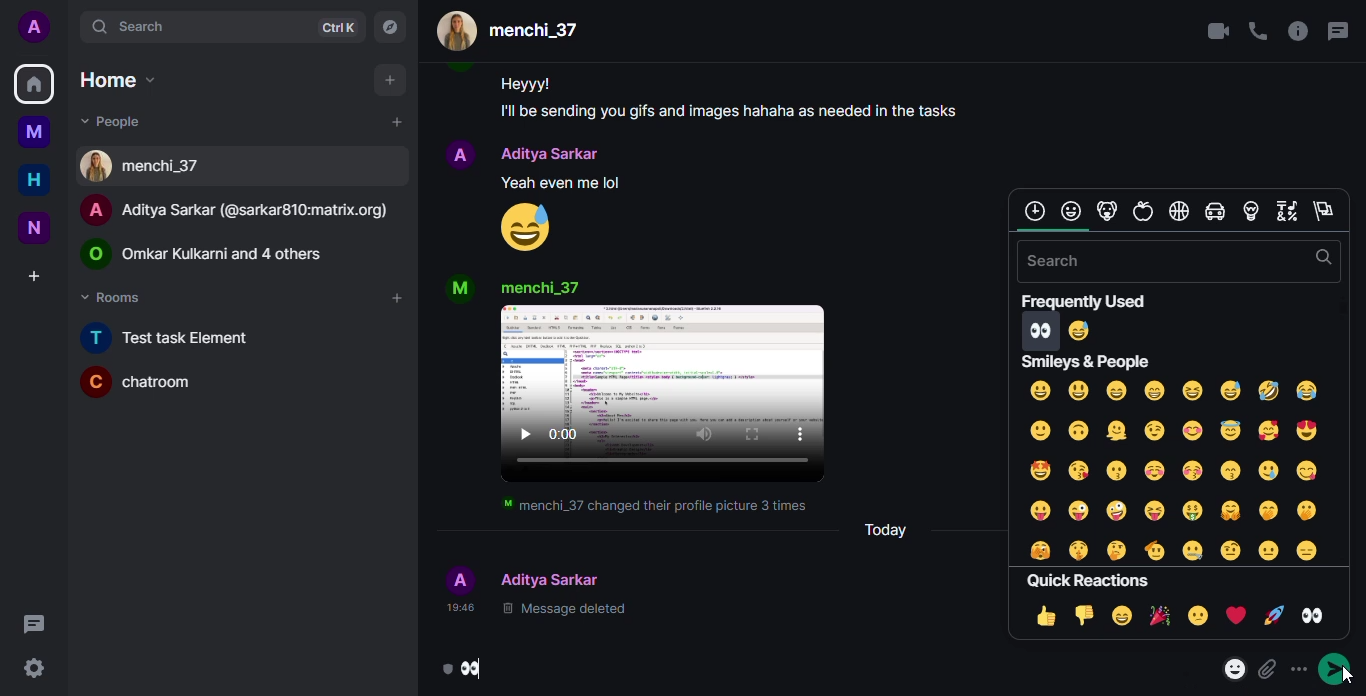 Image resolution: width=1366 pixels, height=696 pixels. What do you see at coordinates (121, 26) in the screenshot?
I see `search` at bounding box center [121, 26].